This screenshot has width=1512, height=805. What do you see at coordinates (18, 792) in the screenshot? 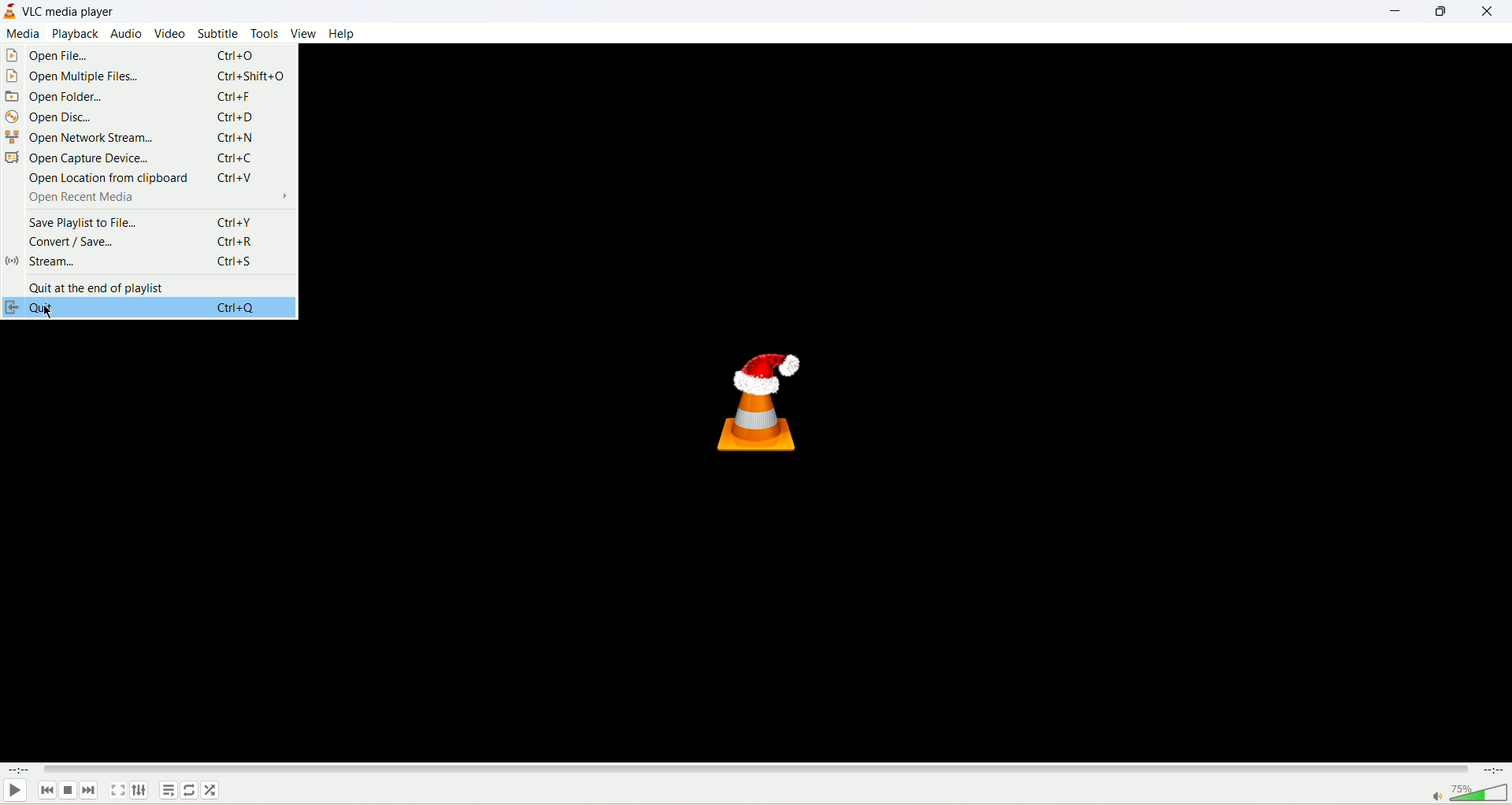
I see `play` at bounding box center [18, 792].